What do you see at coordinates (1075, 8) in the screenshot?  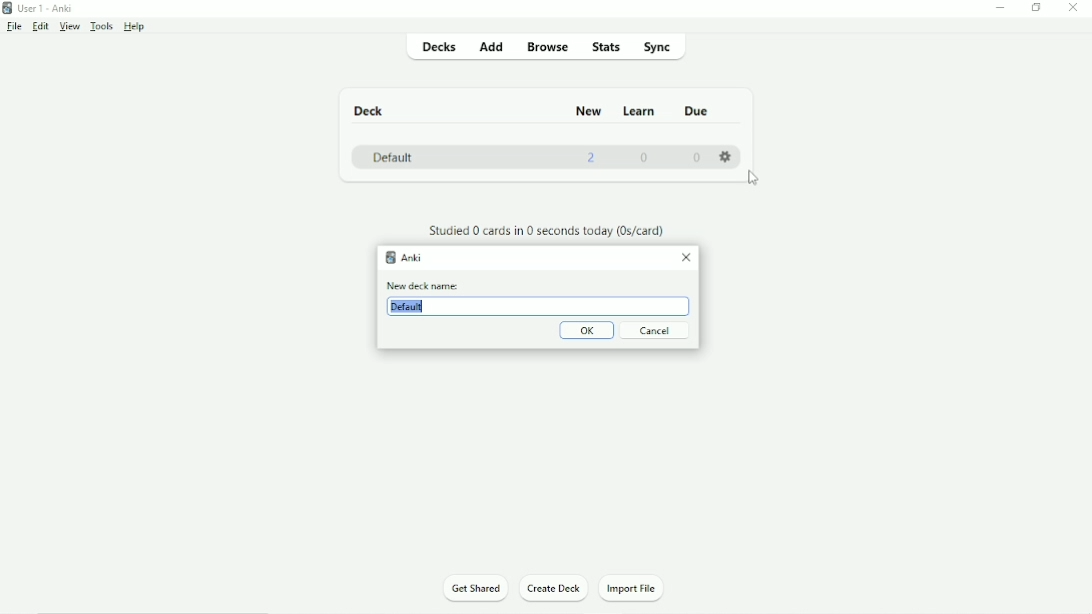 I see `Close` at bounding box center [1075, 8].